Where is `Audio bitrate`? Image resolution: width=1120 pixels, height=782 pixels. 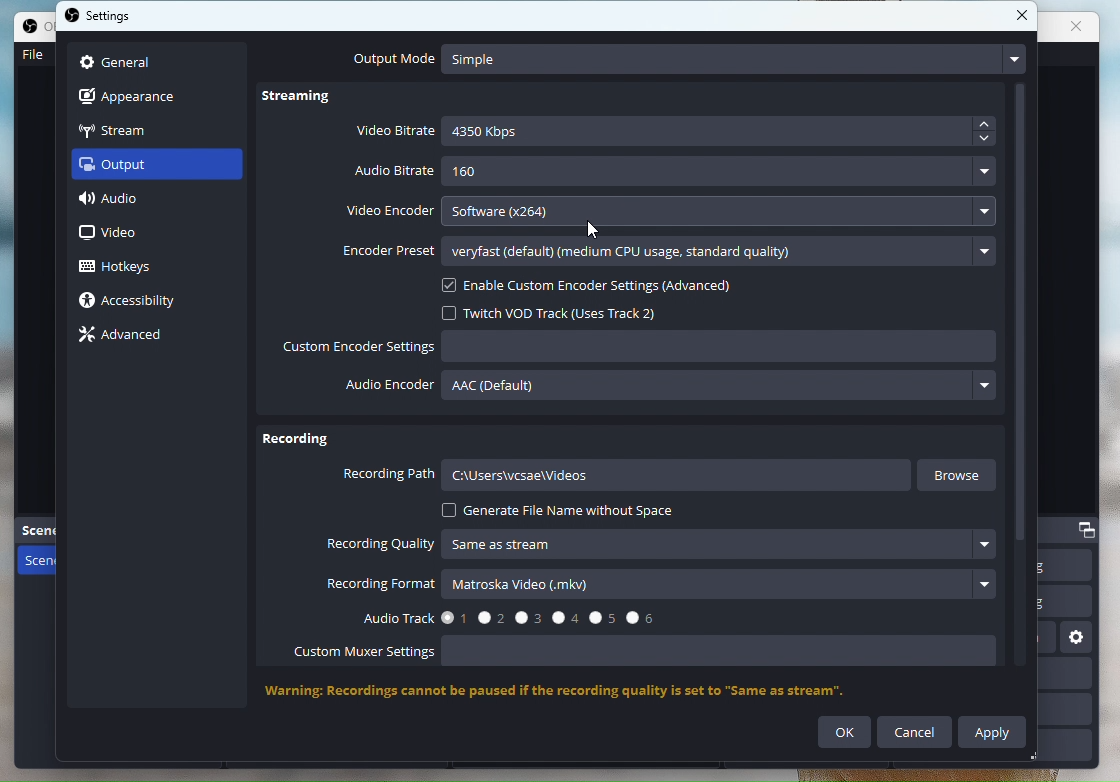
Audio bitrate is located at coordinates (677, 172).